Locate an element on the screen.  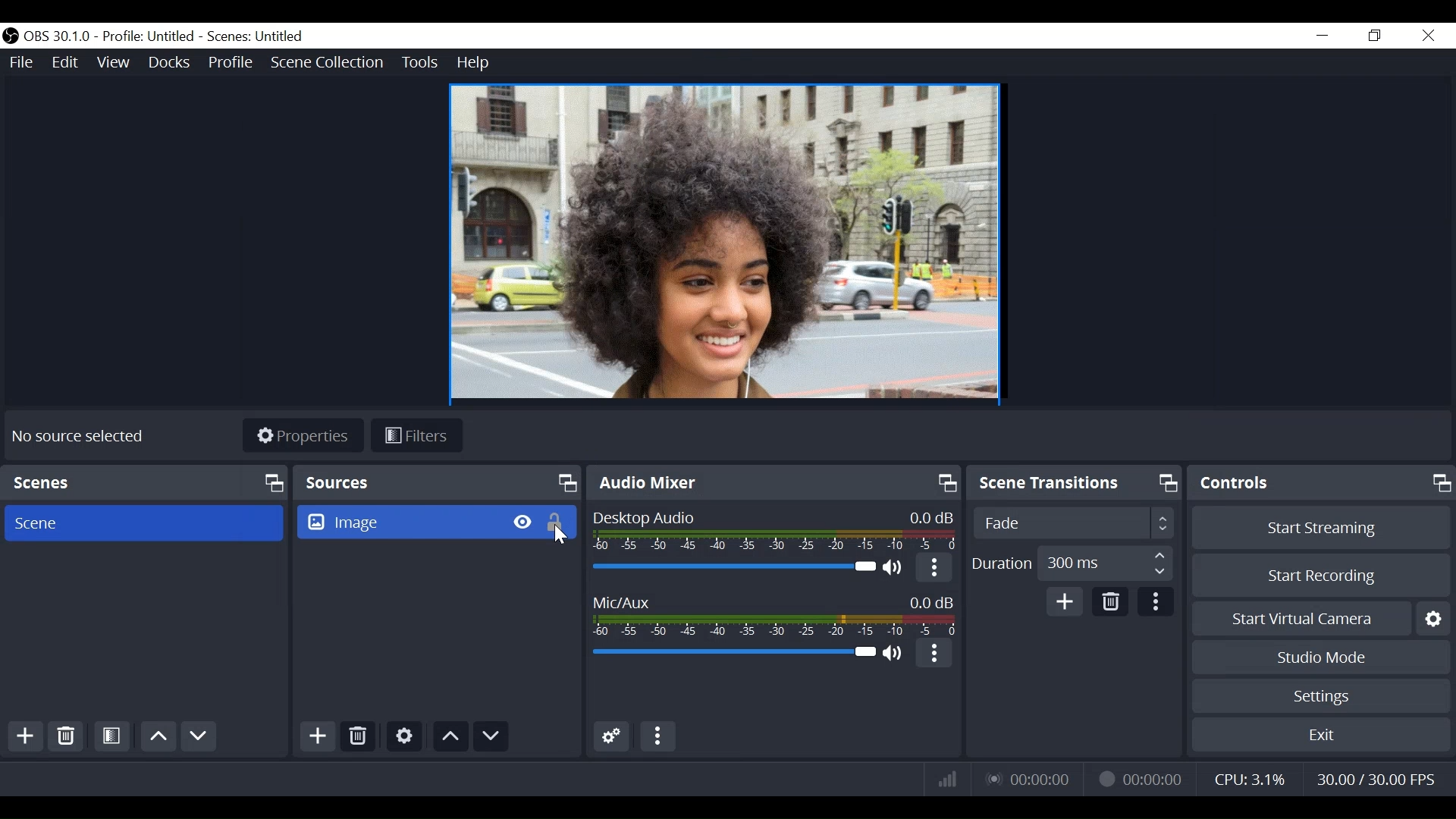
Fade is located at coordinates (1073, 523).